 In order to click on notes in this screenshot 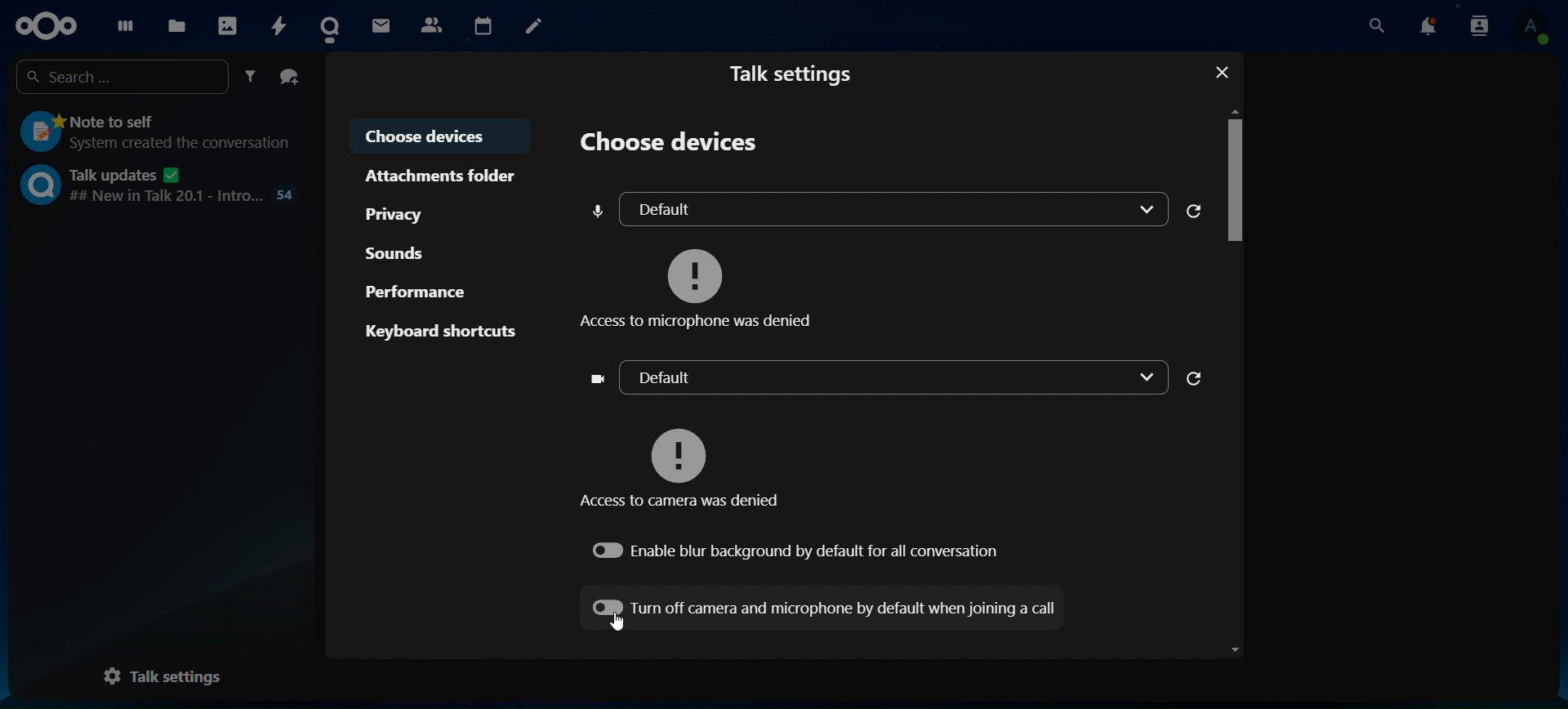, I will do `click(534, 24)`.